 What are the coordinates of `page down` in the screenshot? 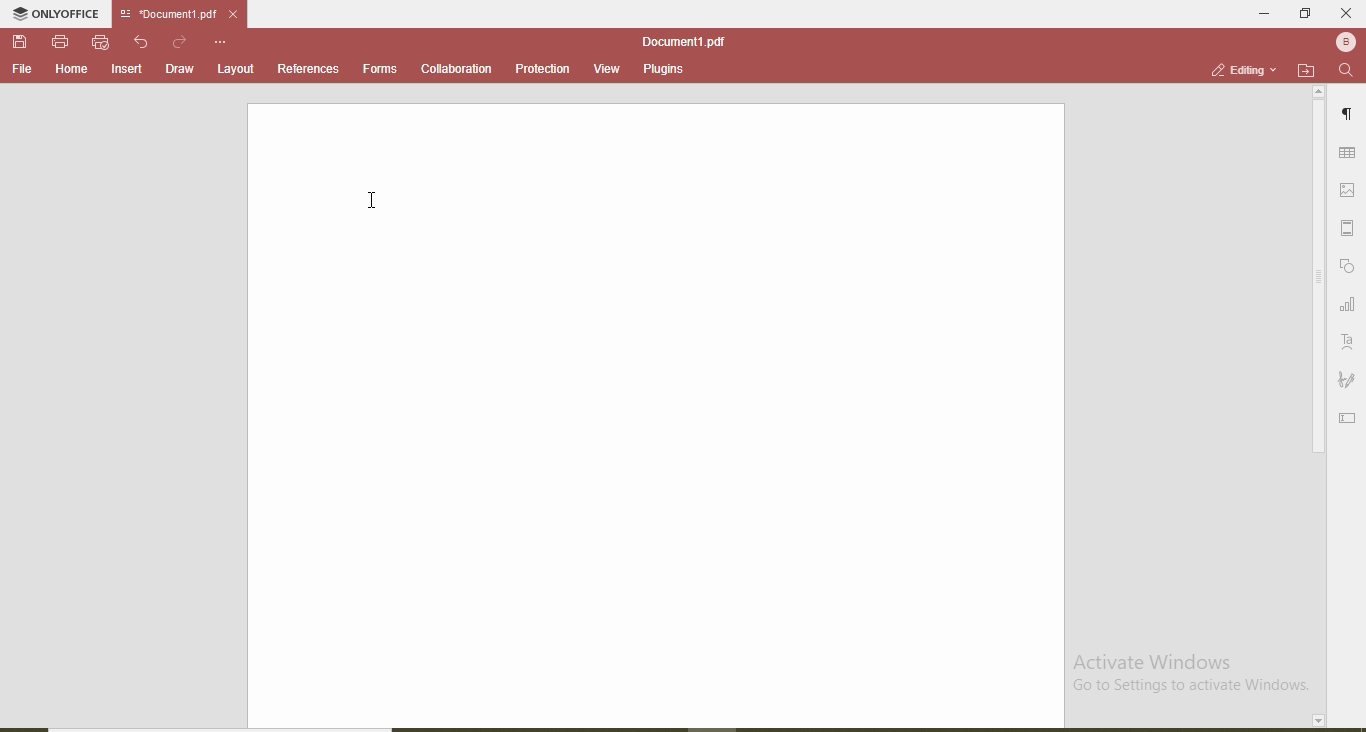 It's located at (1316, 721).